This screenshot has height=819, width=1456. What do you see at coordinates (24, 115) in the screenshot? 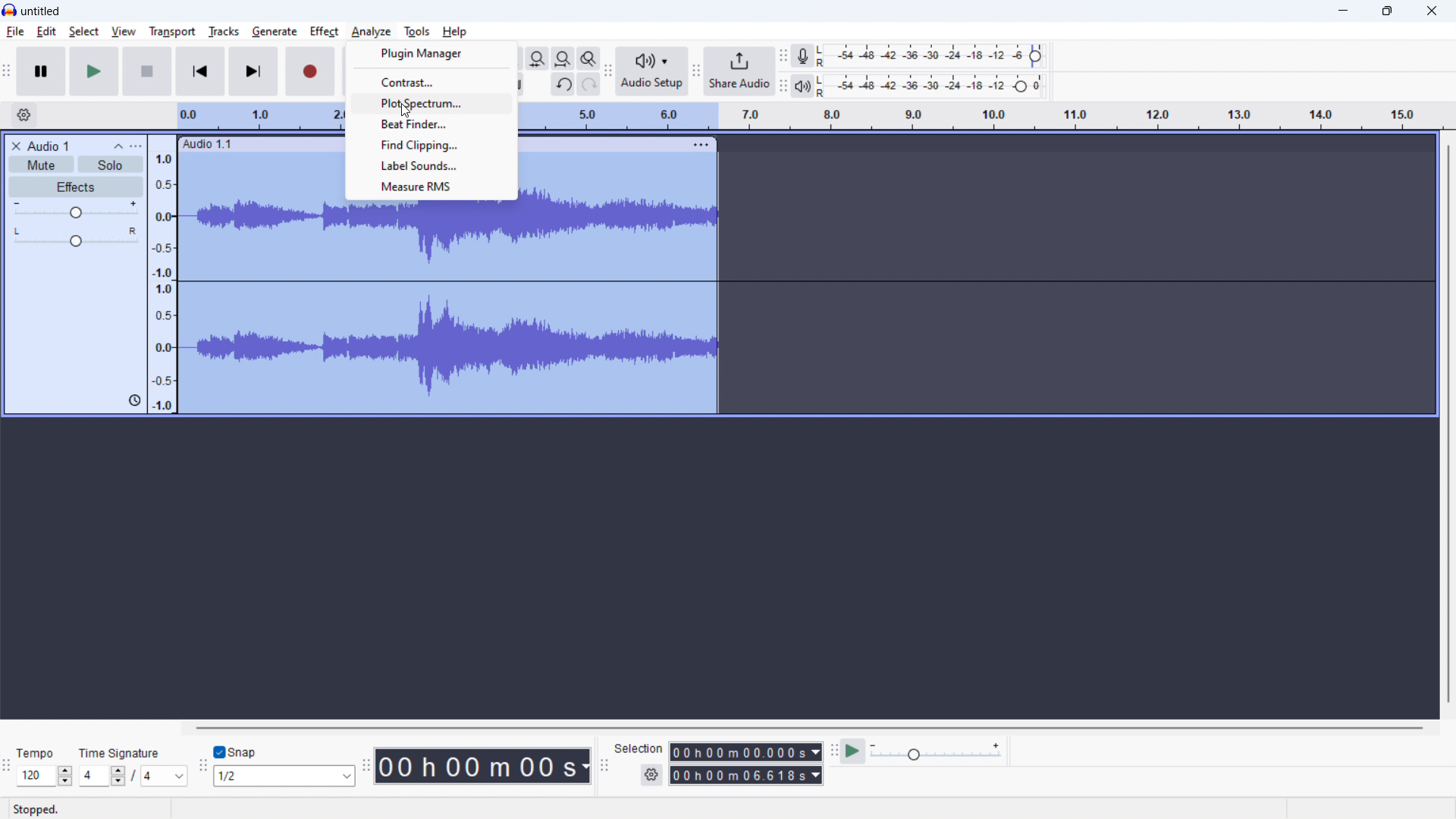
I see `timeline settings` at bounding box center [24, 115].